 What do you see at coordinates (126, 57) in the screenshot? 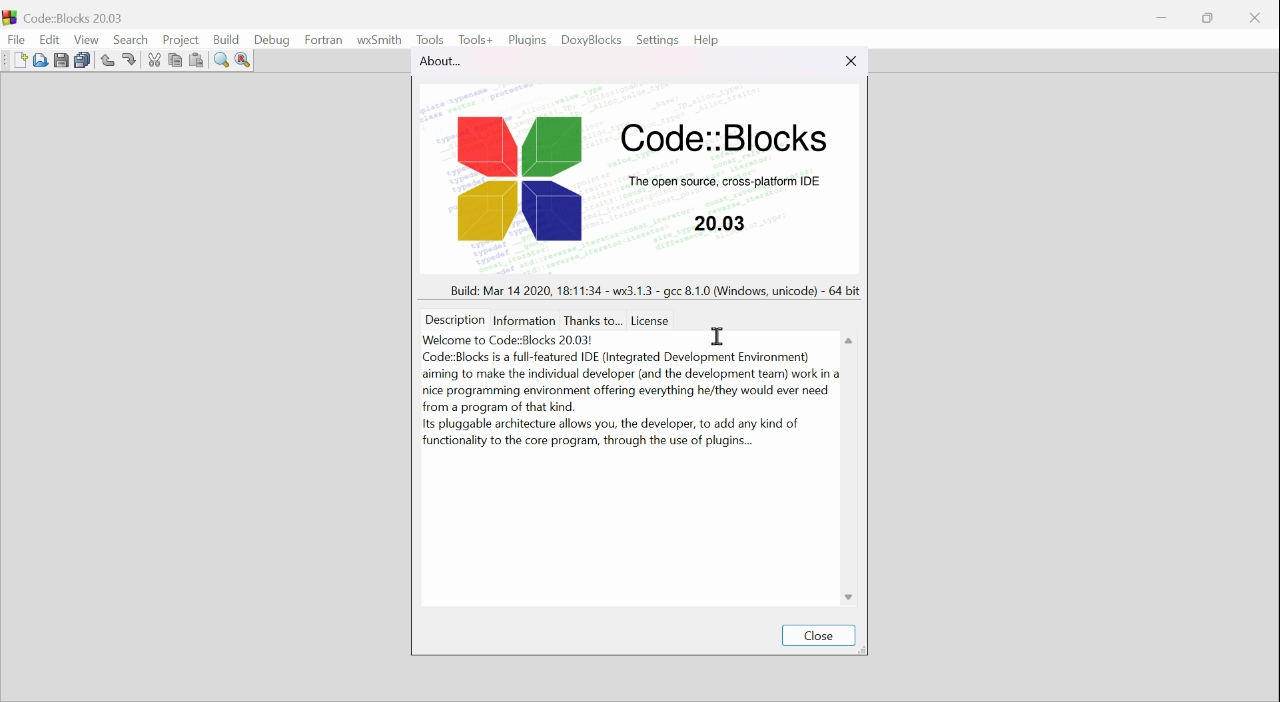
I see `Redo` at bounding box center [126, 57].